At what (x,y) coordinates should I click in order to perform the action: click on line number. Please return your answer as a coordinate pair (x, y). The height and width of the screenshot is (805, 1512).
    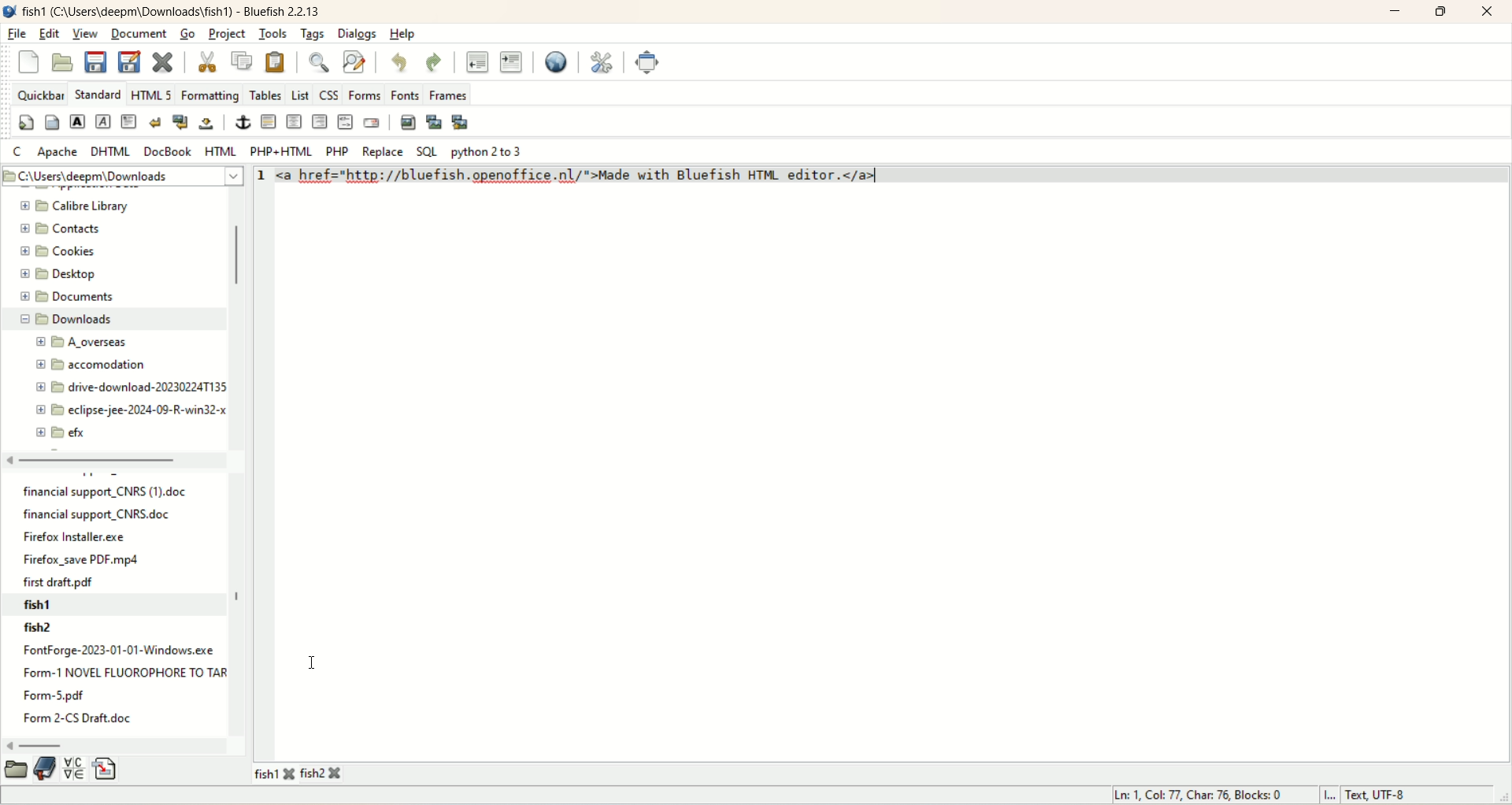
    Looking at the image, I should click on (261, 176).